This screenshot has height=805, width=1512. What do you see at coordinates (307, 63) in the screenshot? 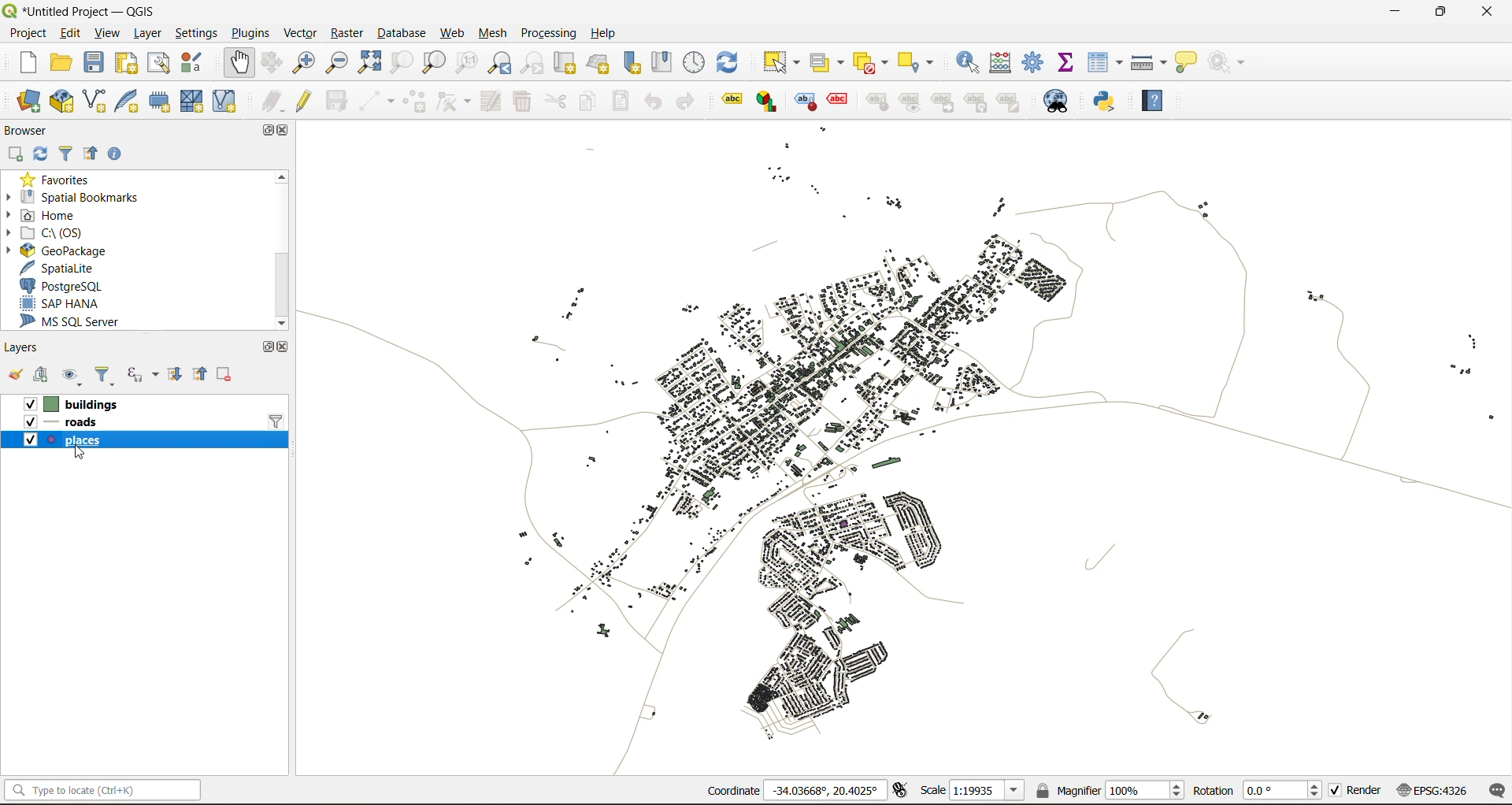
I see `zoom in` at bounding box center [307, 63].